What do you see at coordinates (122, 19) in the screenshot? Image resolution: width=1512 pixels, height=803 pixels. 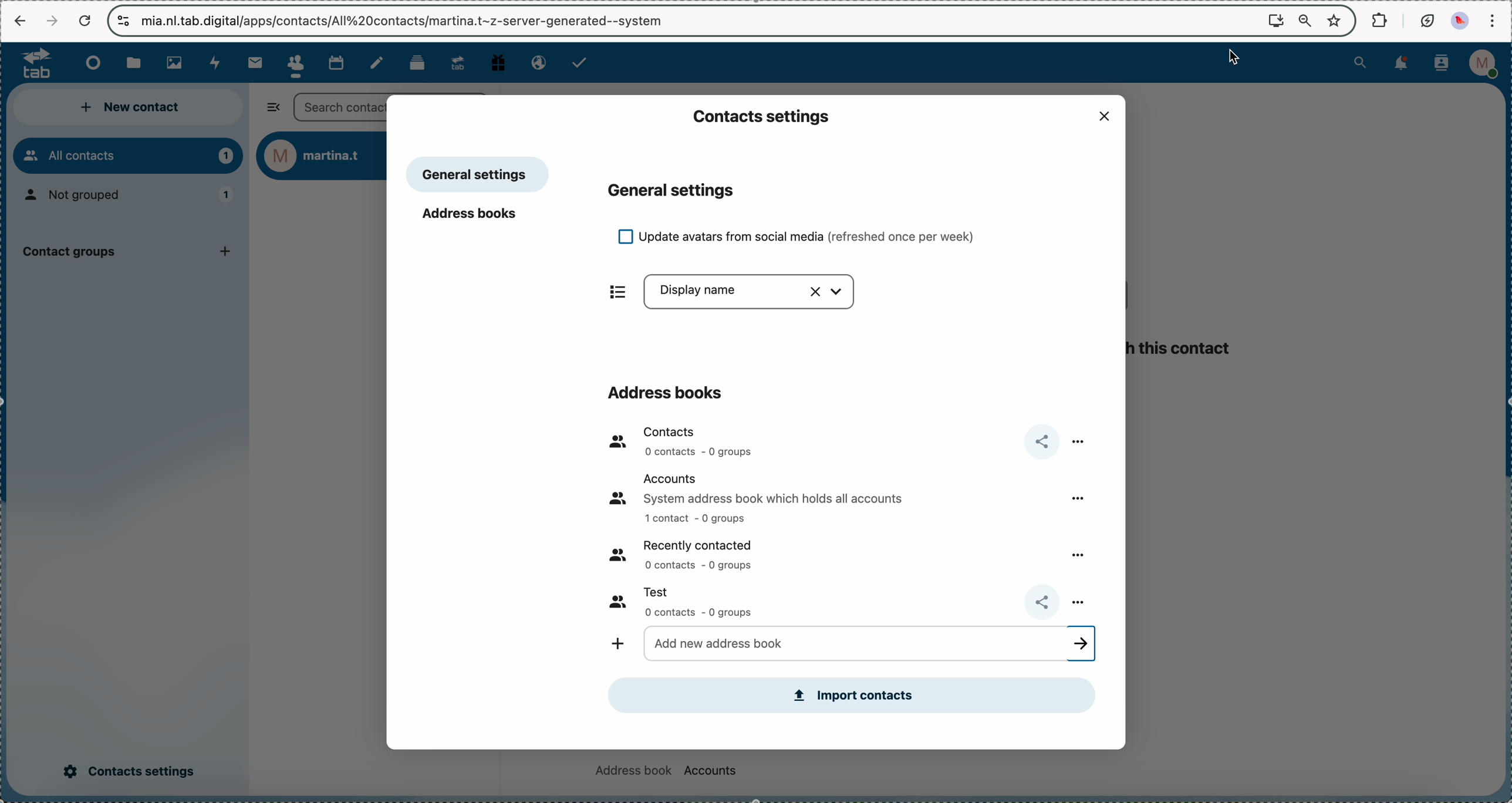 I see `controls` at bounding box center [122, 19].